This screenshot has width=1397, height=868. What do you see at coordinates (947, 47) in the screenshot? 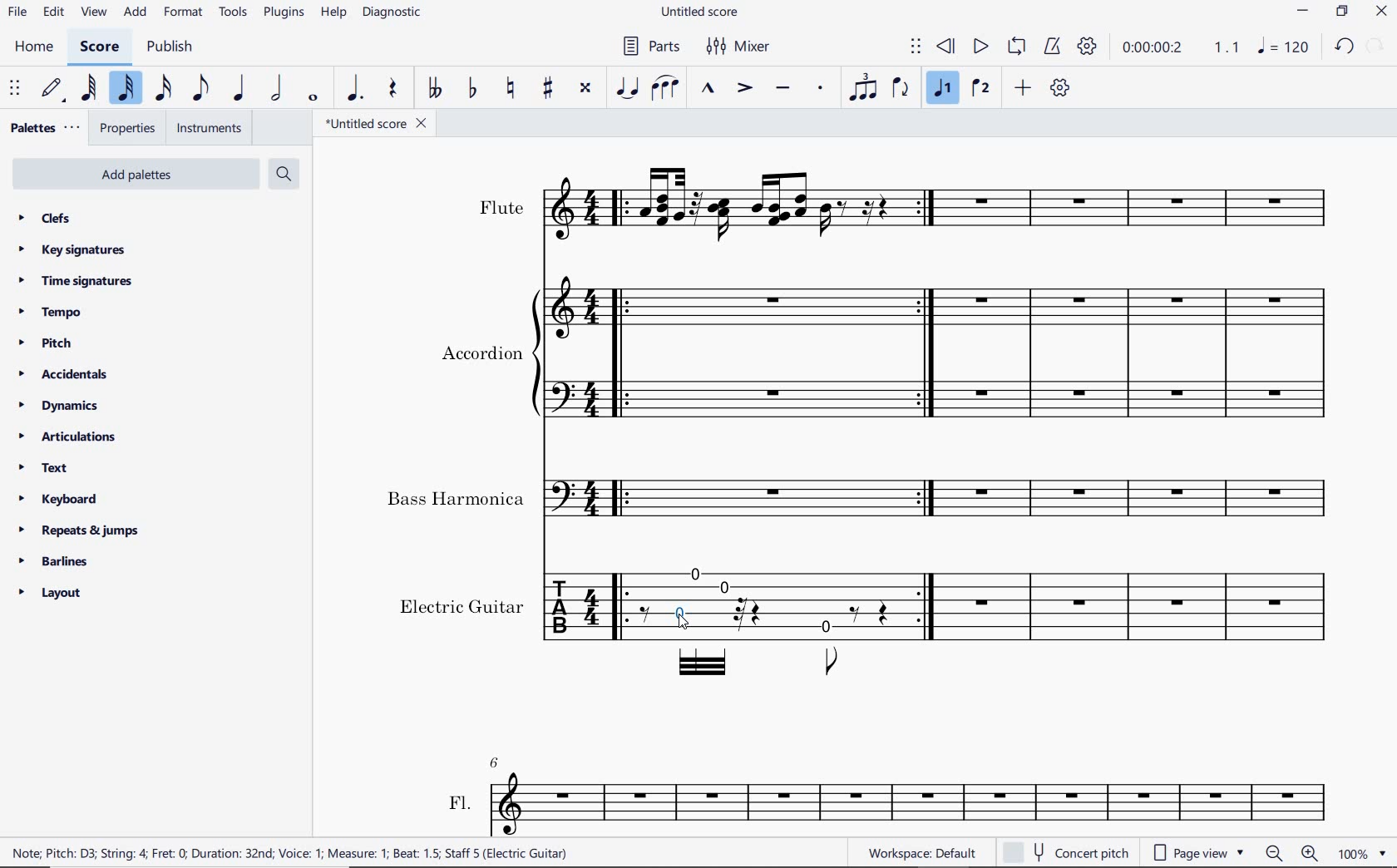
I see `rewind` at bounding box center [947, 47].